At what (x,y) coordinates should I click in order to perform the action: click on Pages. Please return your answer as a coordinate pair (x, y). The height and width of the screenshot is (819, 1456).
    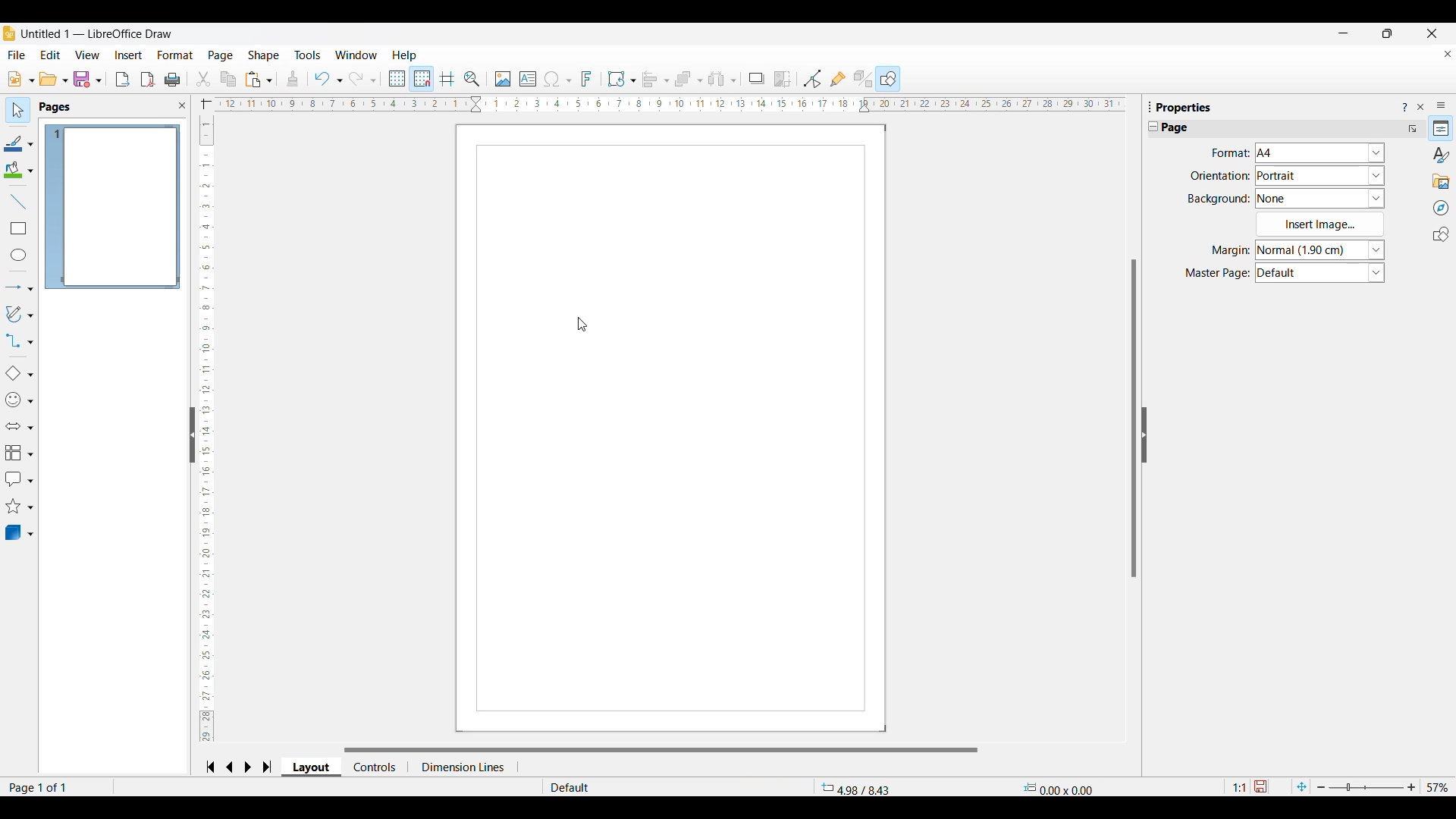
    Looking at the image, I should click on (56, 108).